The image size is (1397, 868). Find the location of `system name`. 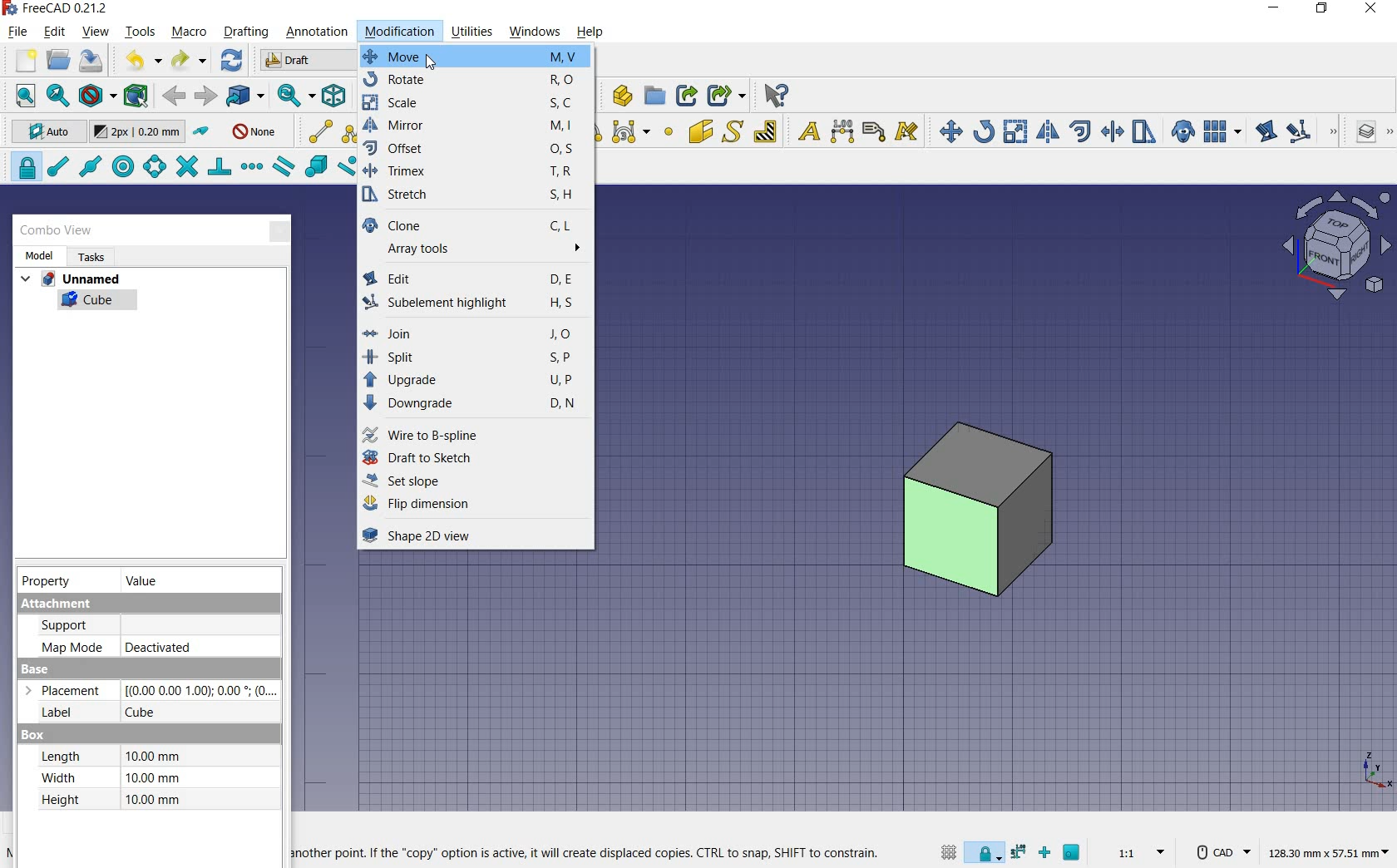

system name is located at coordinates (57, 8).